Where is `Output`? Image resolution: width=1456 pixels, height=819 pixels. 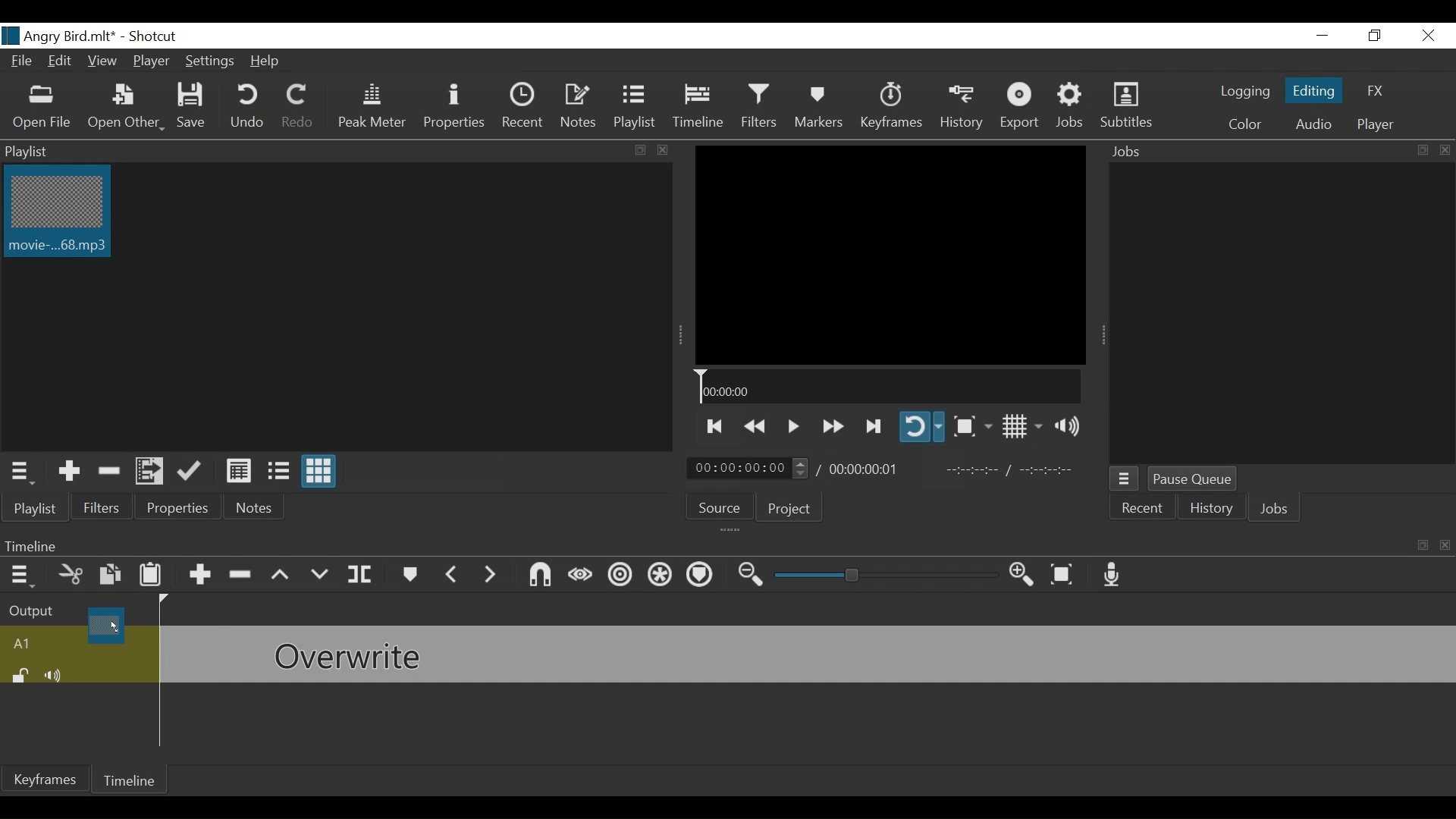 Output is located at coordinates (74, 607).